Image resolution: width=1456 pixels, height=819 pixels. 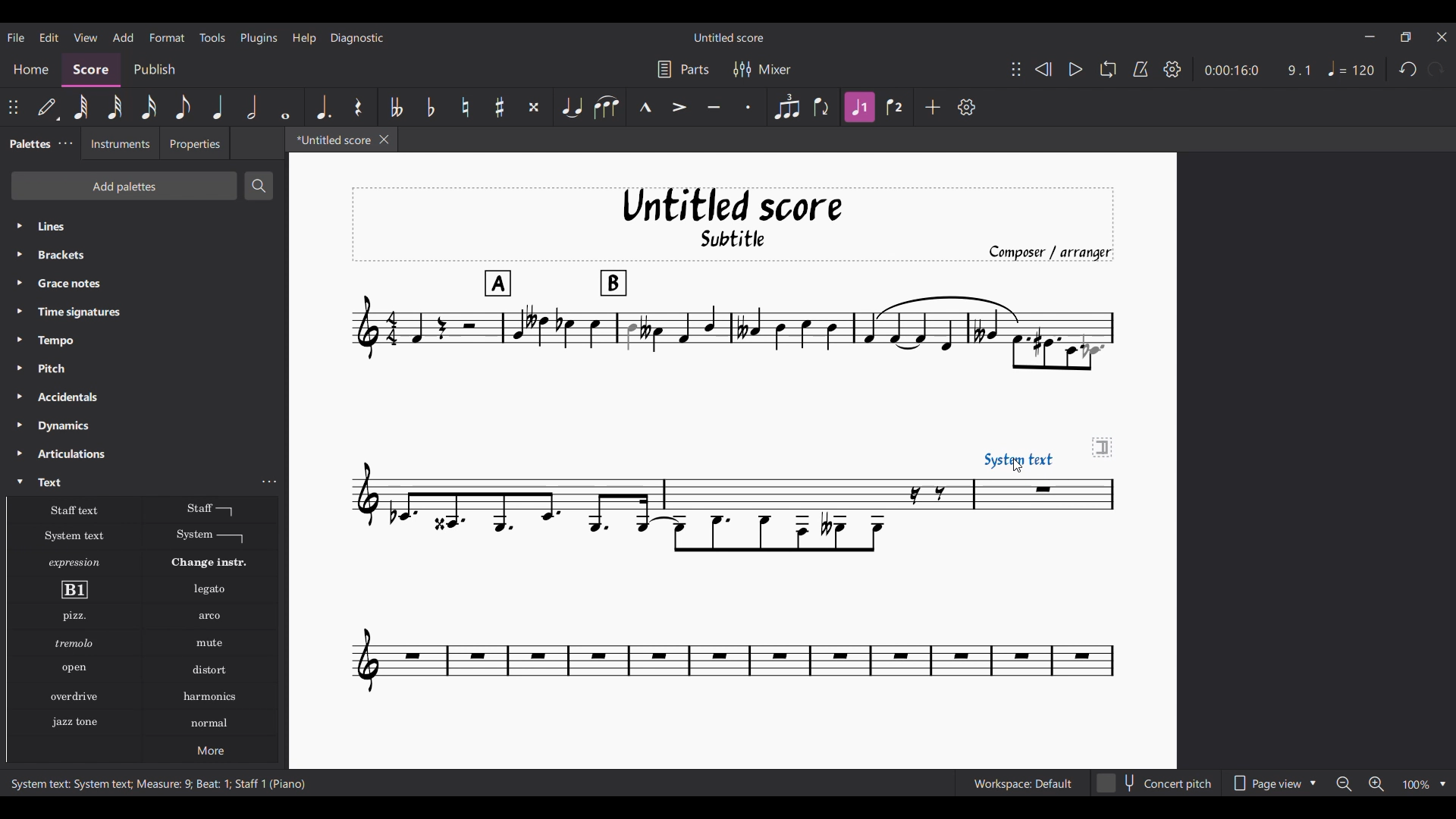 What do you see at coordinates (124, 186) in the screenshot?
I see `Add palettes` at bounding box center [124, 186].